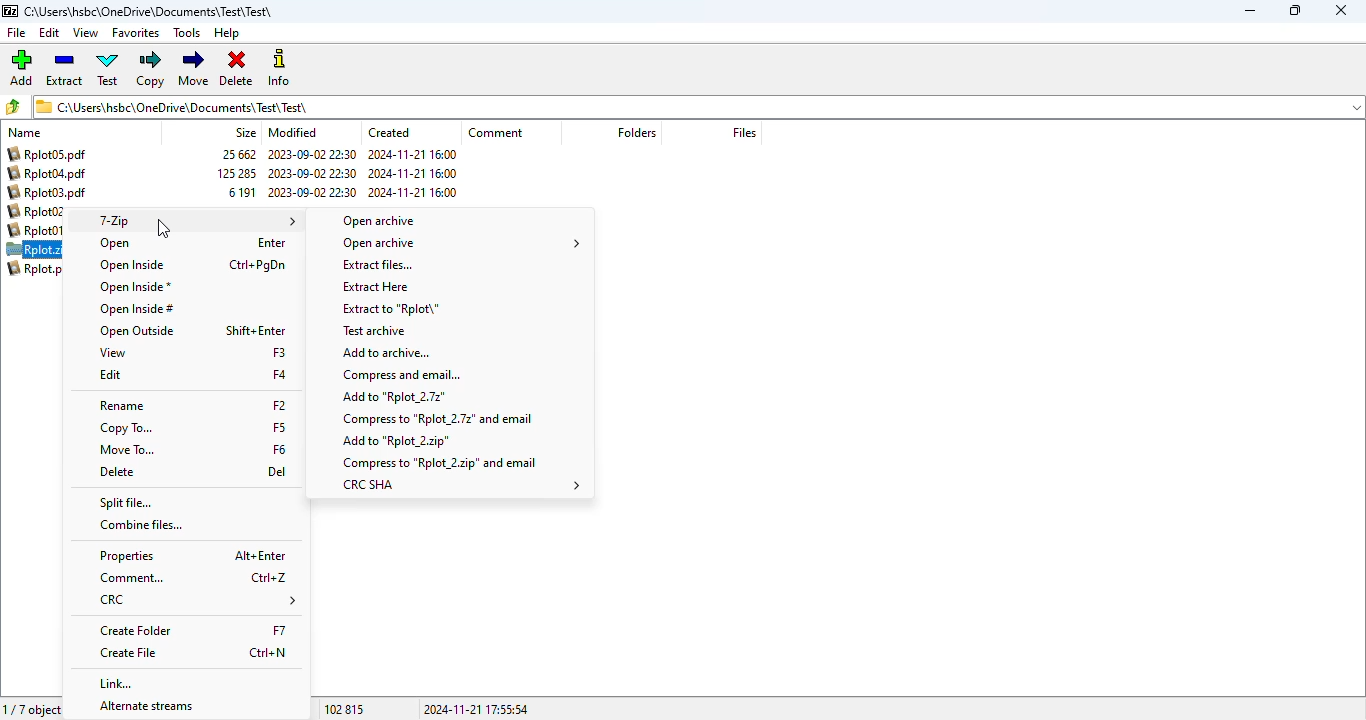 Image resolution: width=1366 pixels, height=720 pixels. Describe the element at coordinates (744, 132) in the screenshot. I see `files` at that location.